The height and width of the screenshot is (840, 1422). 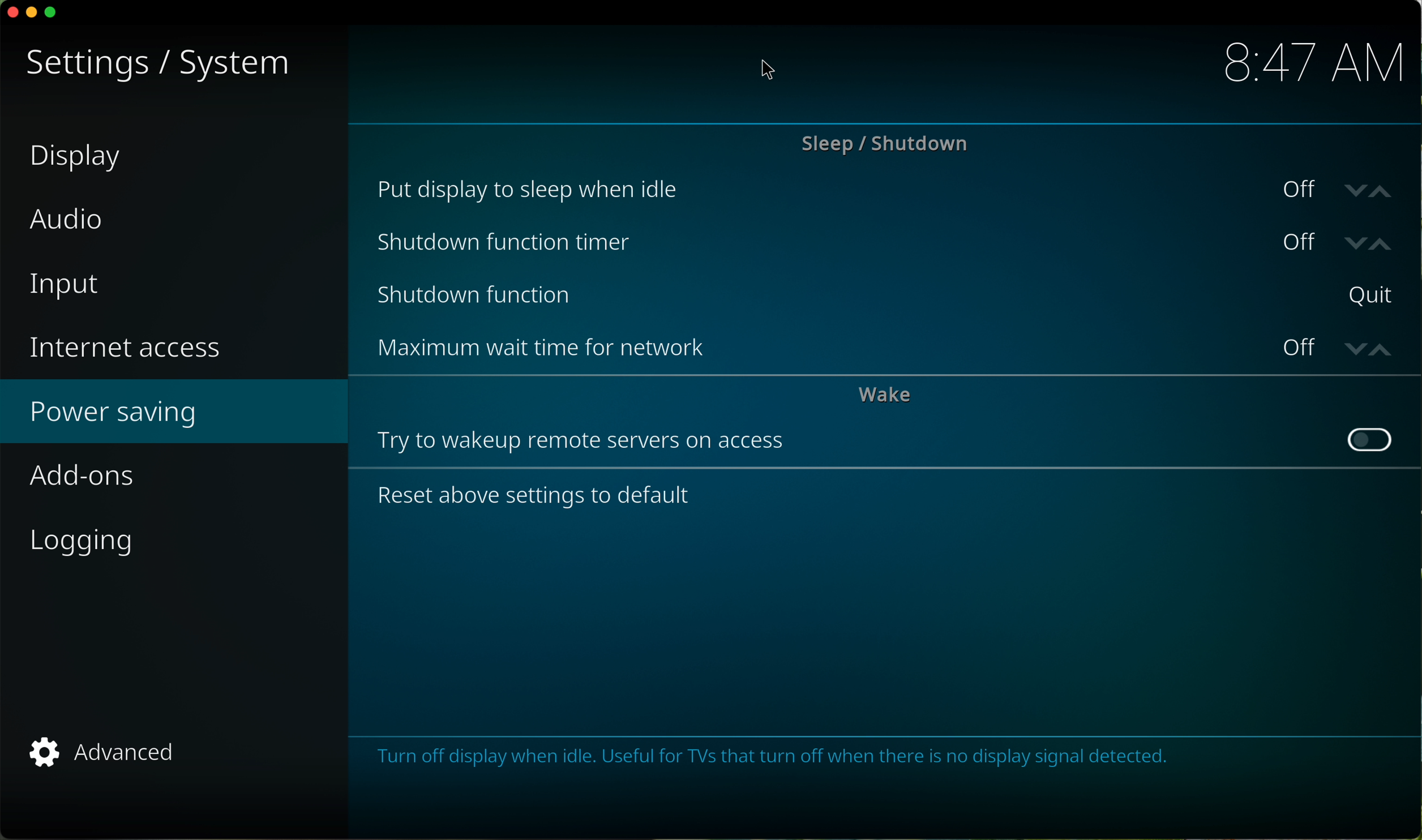 What do you see at coordinates (888, 352) in the screenshot?
I see `remove all orphaned add-ons` at bounding box center [888, 352].